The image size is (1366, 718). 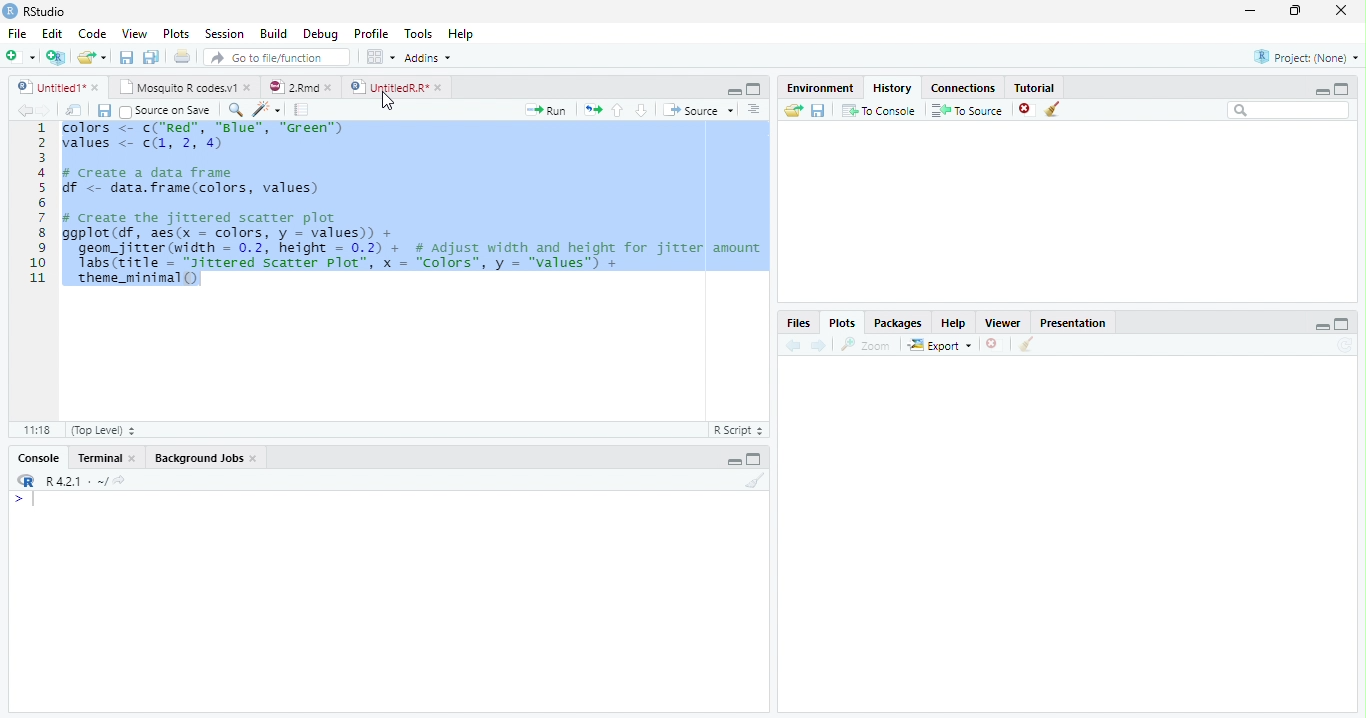 I want to click on close, so click(x=1341, y=10).